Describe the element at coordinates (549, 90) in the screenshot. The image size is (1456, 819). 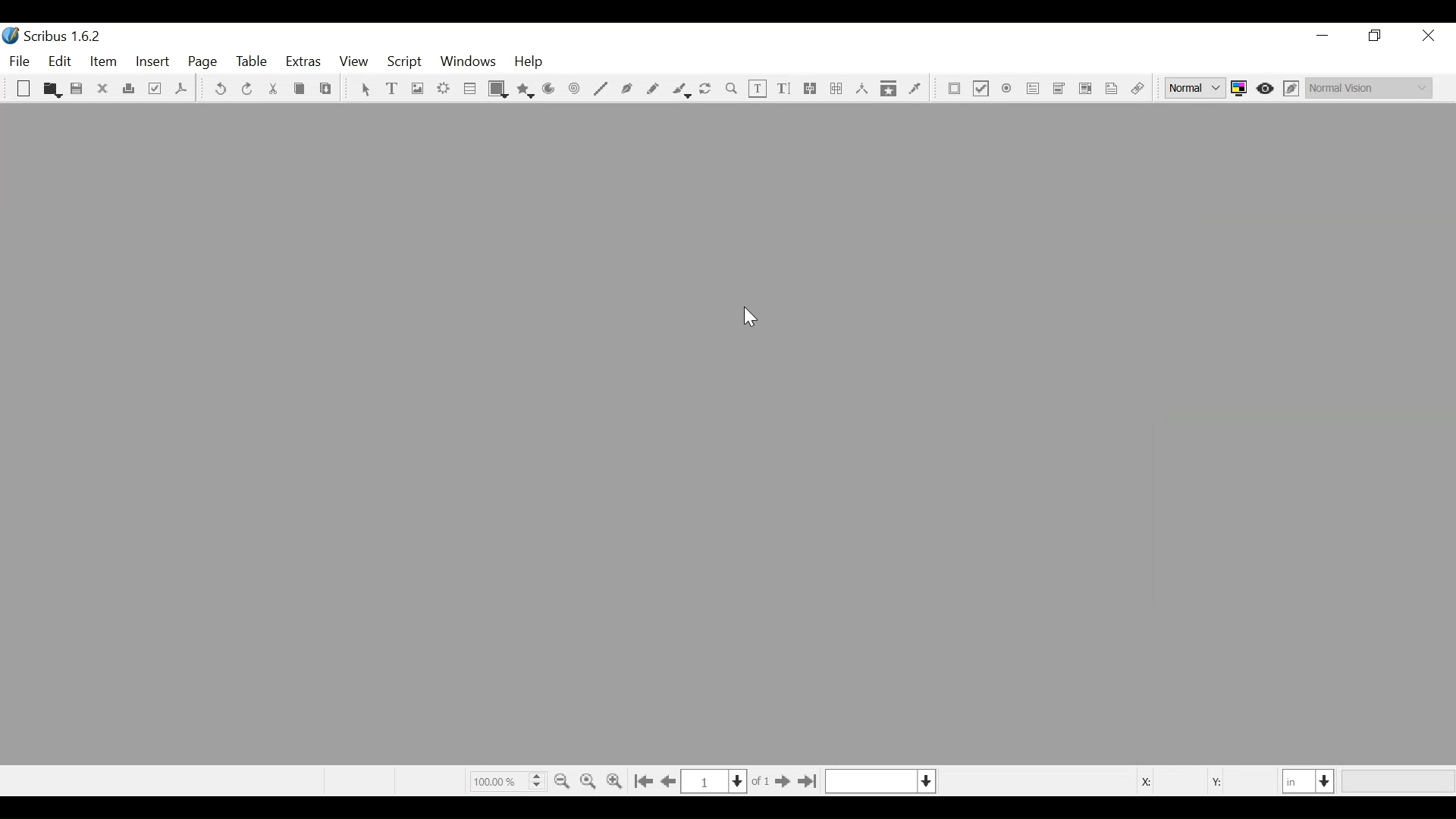
I see `Arc` at that location.